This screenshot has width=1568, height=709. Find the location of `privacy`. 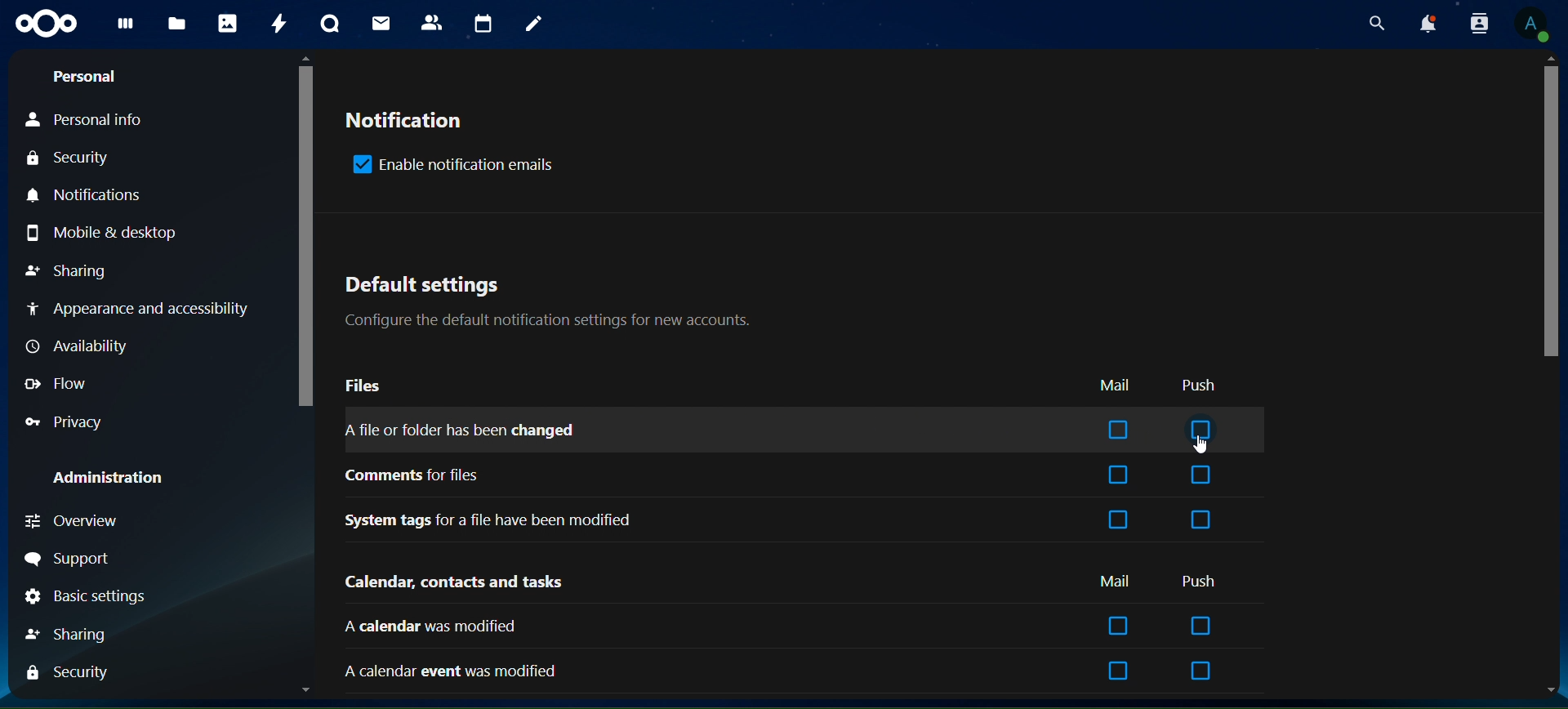

privacy is located at coordinates (63, 421).